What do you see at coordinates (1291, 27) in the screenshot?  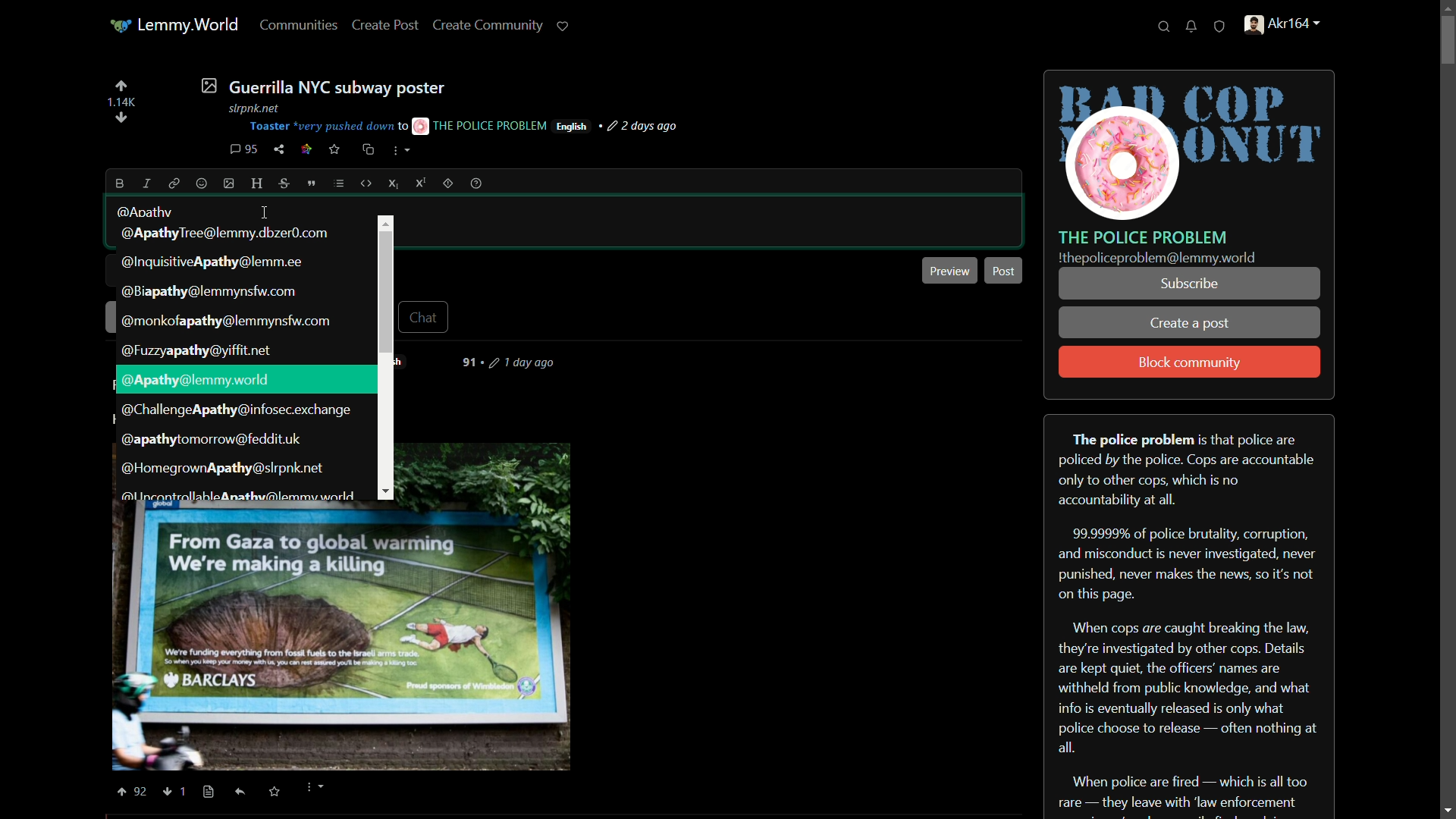 I see `handle` at bounding box center [1291, 27].